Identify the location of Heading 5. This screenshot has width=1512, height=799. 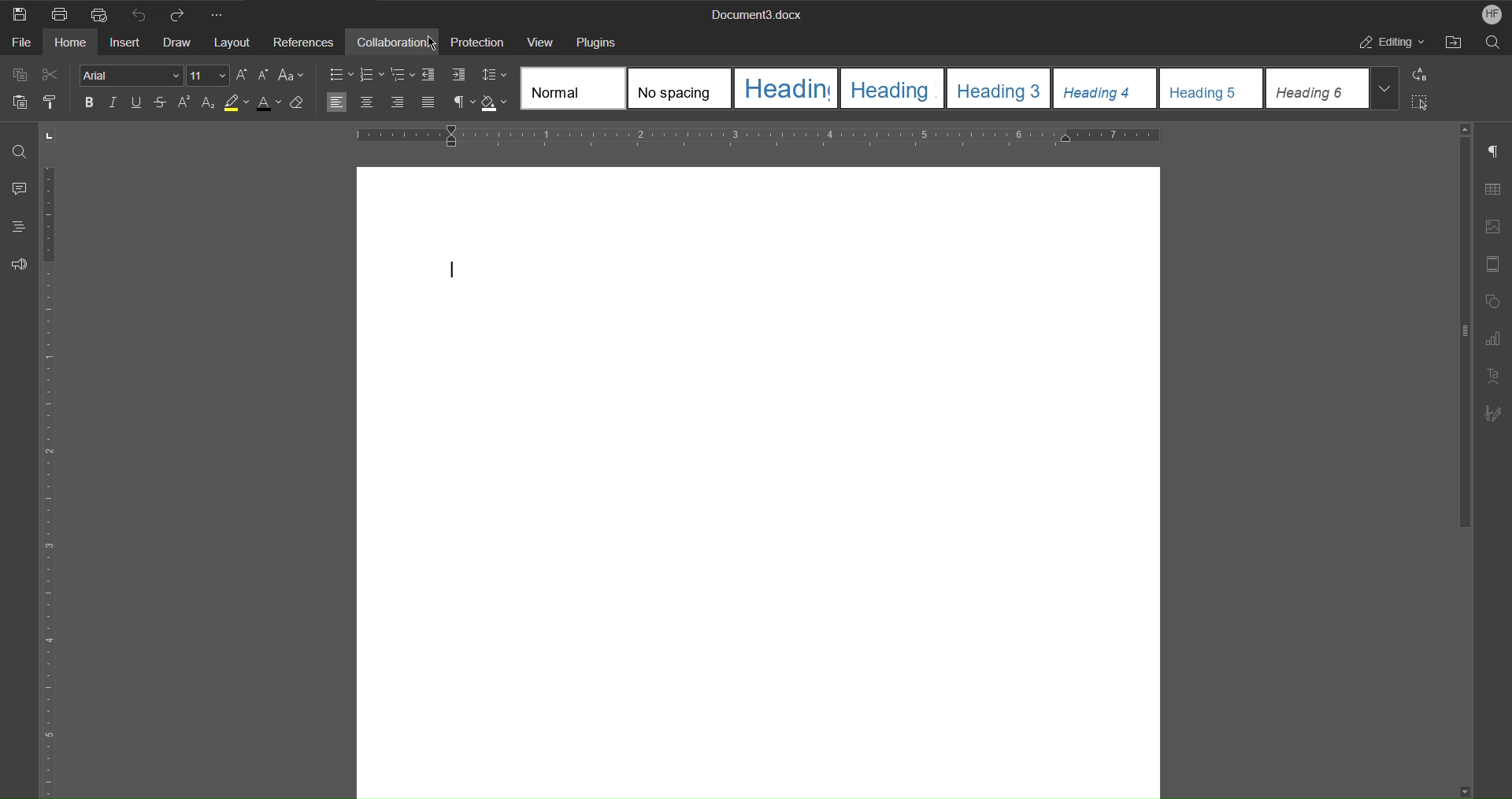
(1210, 90).